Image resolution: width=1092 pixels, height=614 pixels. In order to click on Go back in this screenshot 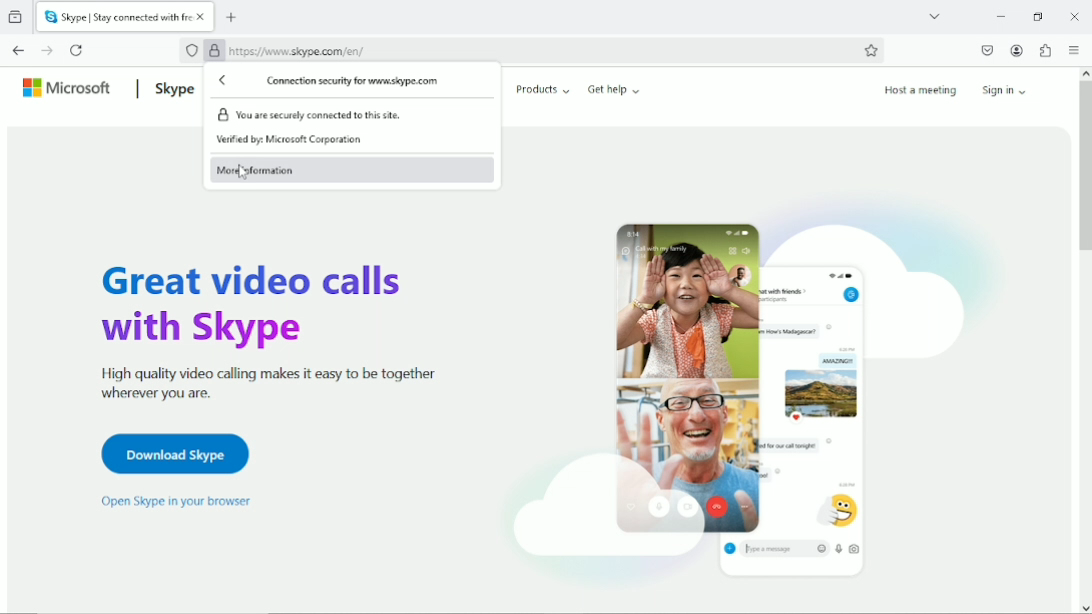, I will do `click(19, 50)`.